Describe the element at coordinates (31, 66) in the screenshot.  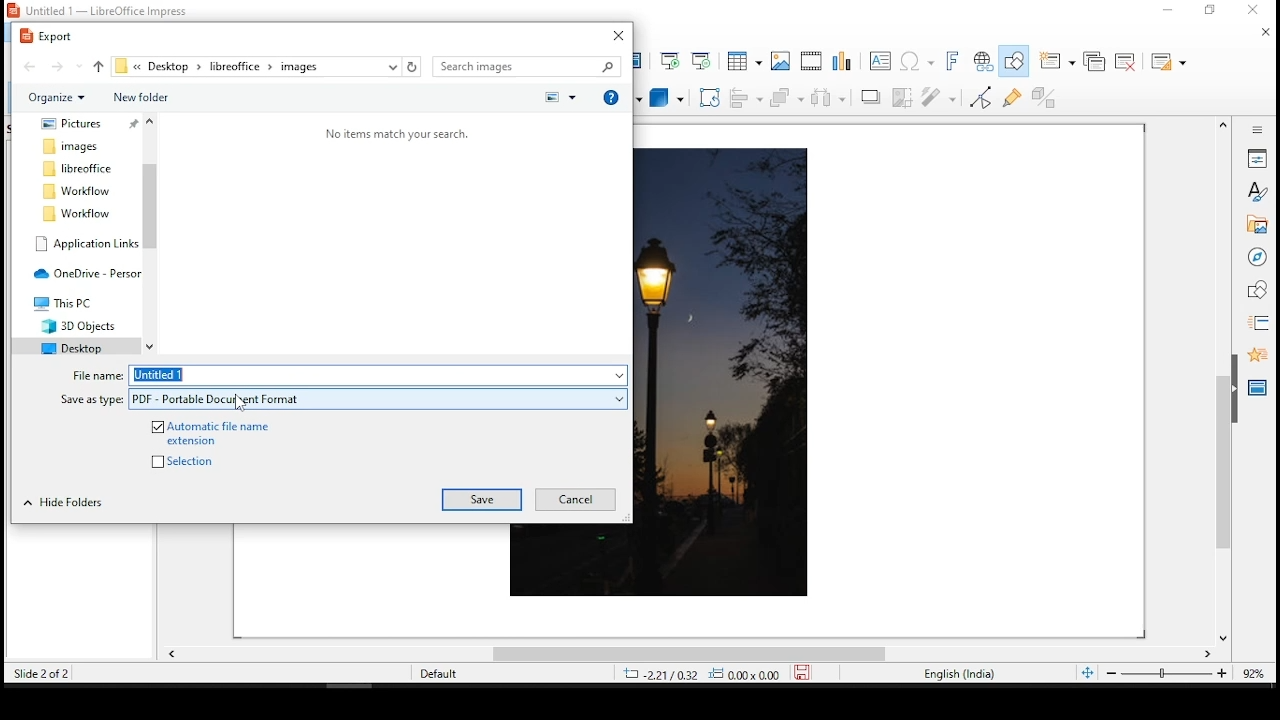
I see `back` at that location.